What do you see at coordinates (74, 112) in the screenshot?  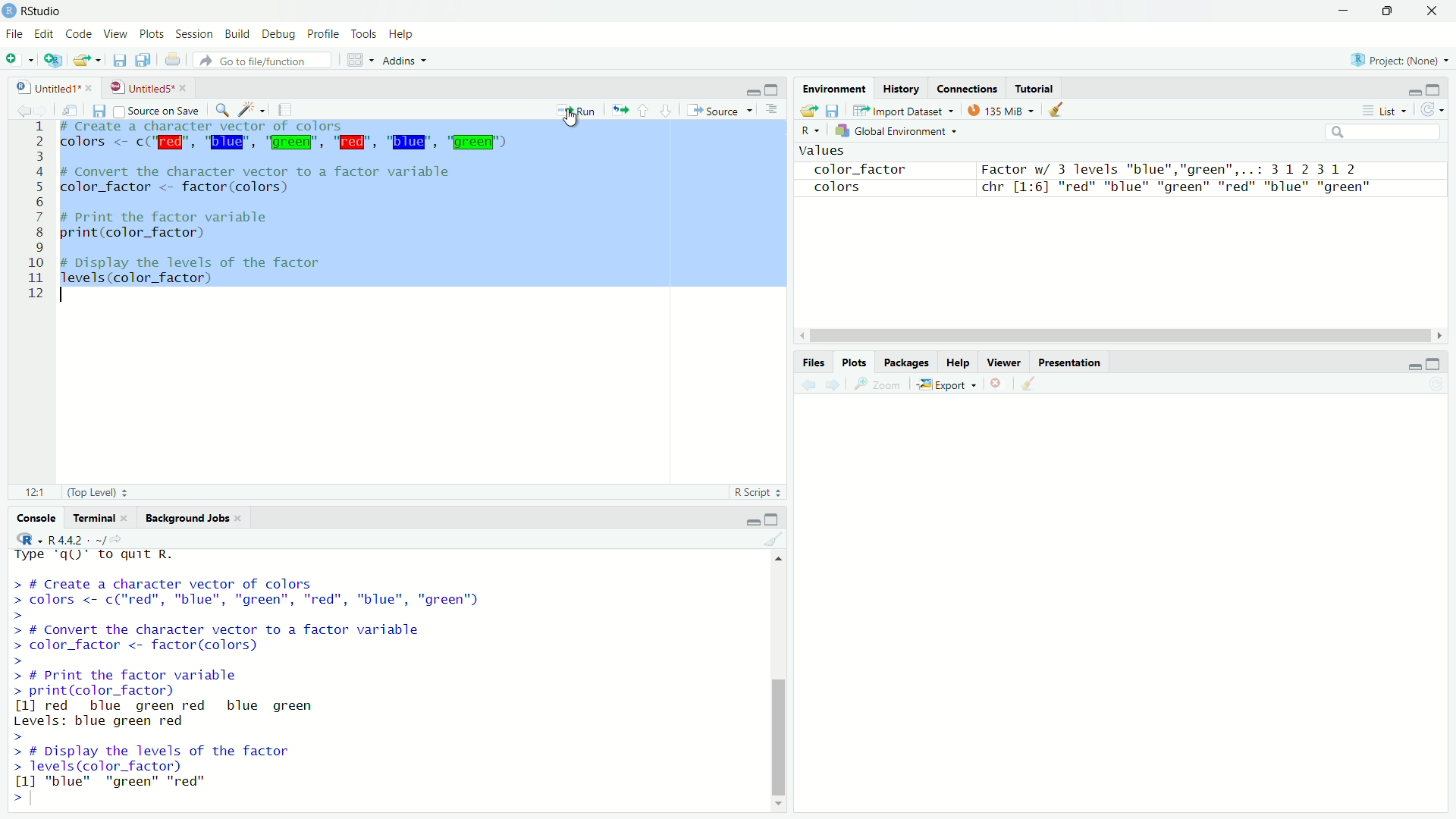 I see `show in new window` at bounding box center [74, 112].